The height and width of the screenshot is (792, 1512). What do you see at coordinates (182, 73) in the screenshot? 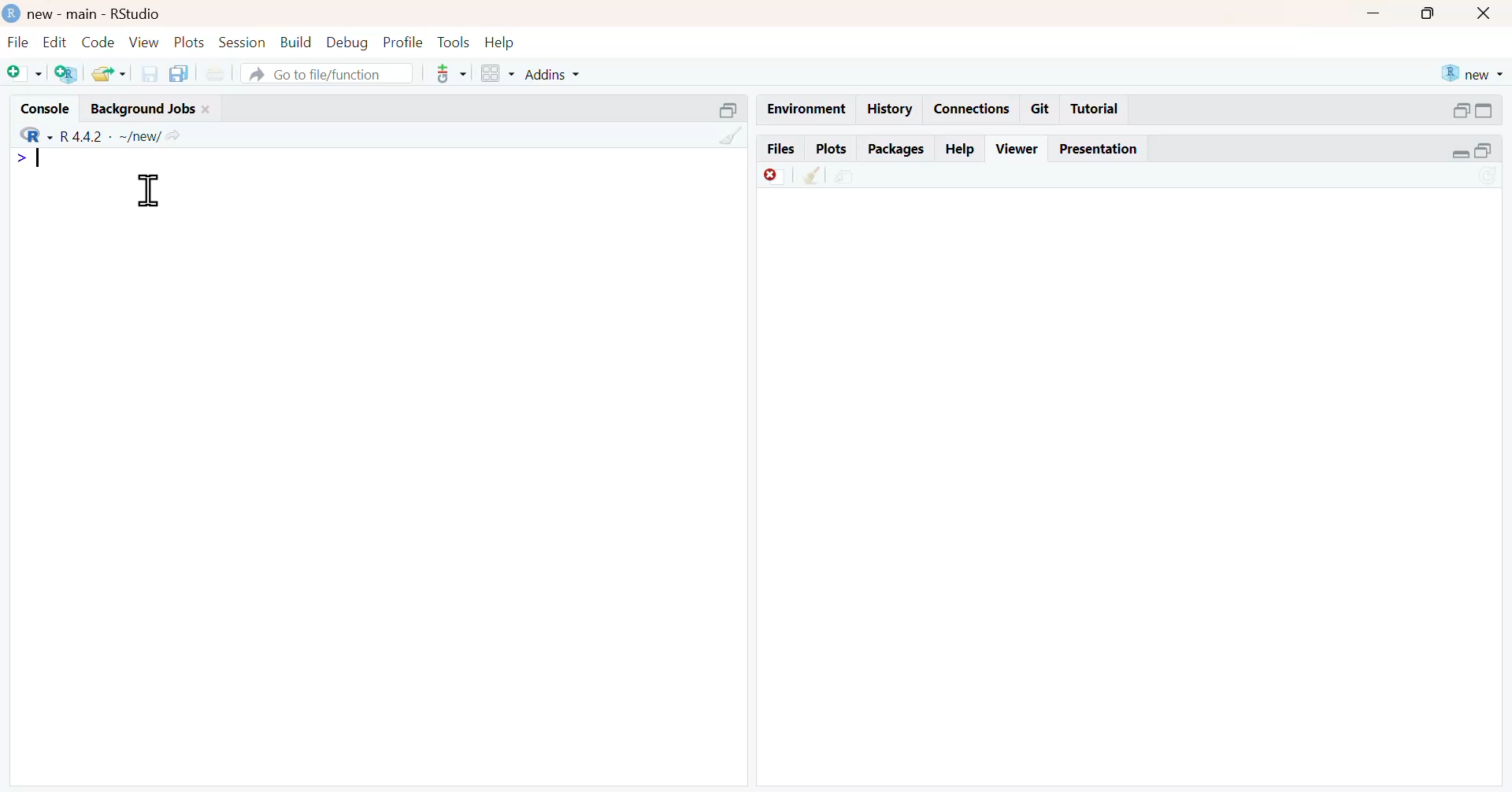
I see `save all open documents` at bounding box center [182, 73].